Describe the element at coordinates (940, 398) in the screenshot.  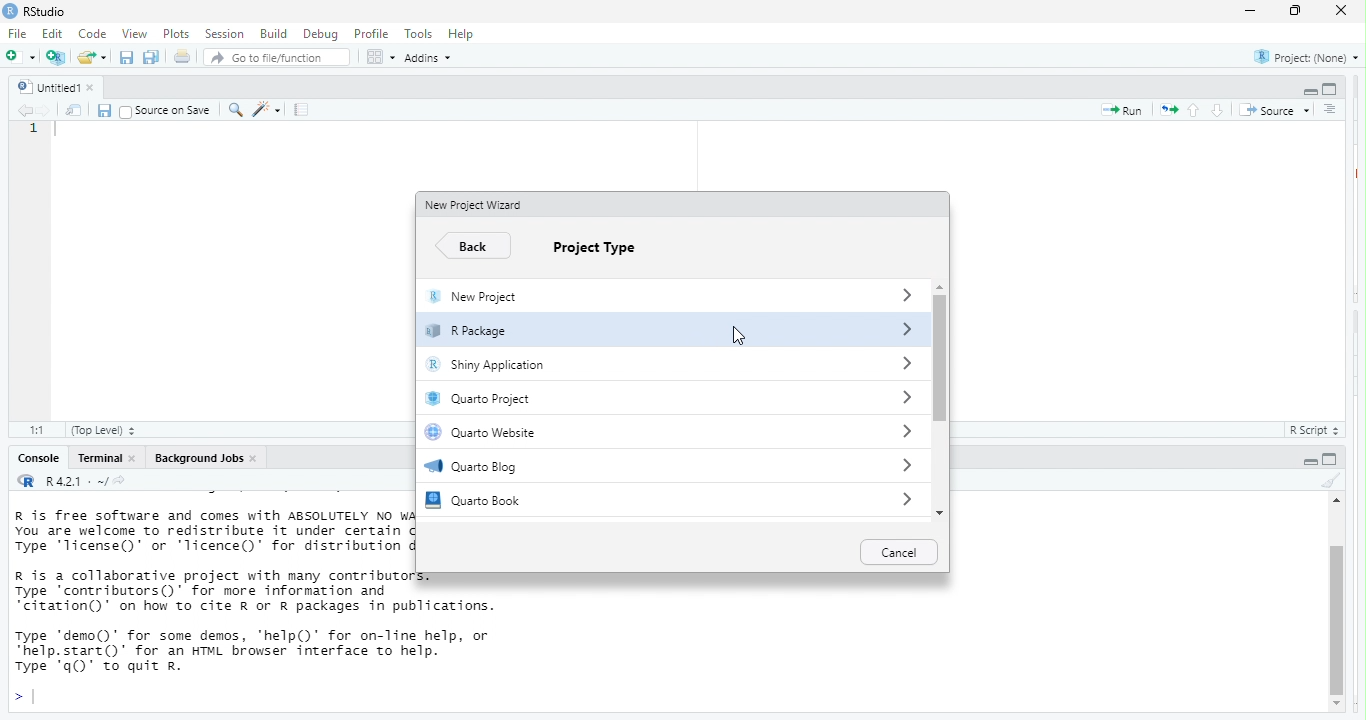
I see `vertical scroll bar` at that location.